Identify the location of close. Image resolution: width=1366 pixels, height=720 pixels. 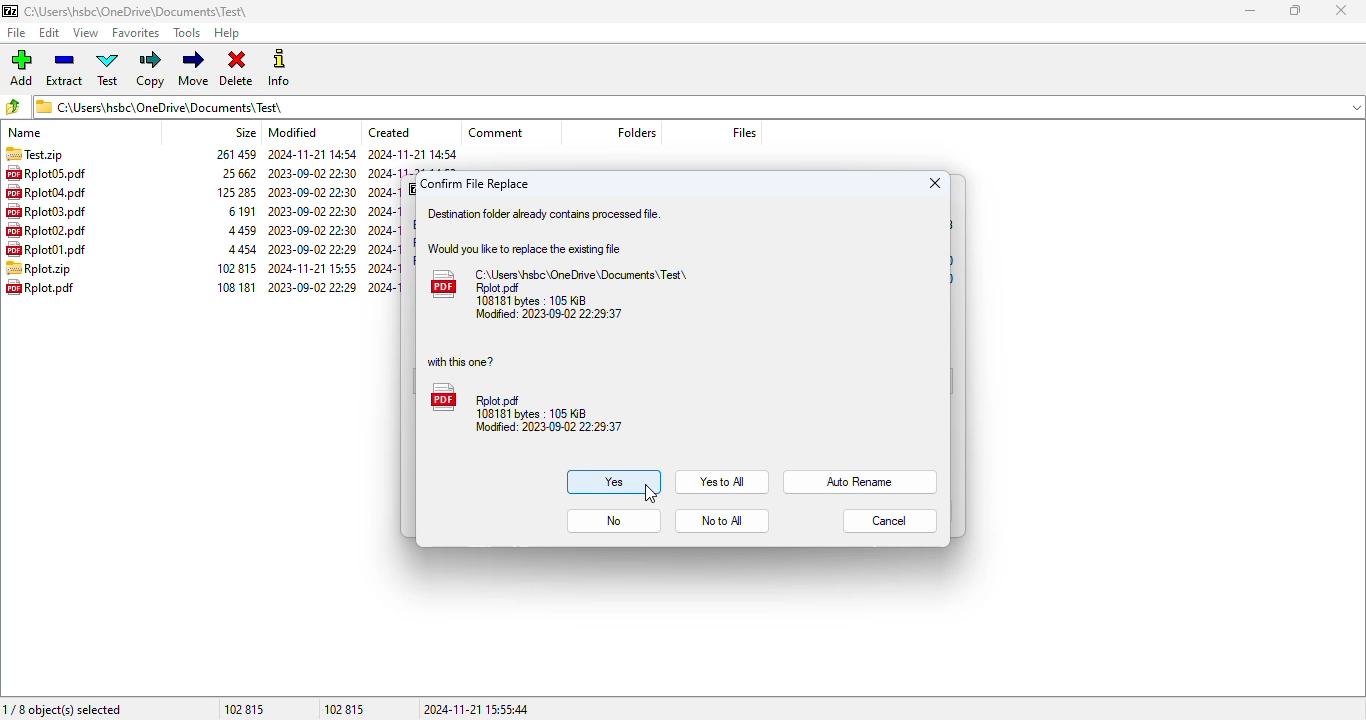
(1343, 10).